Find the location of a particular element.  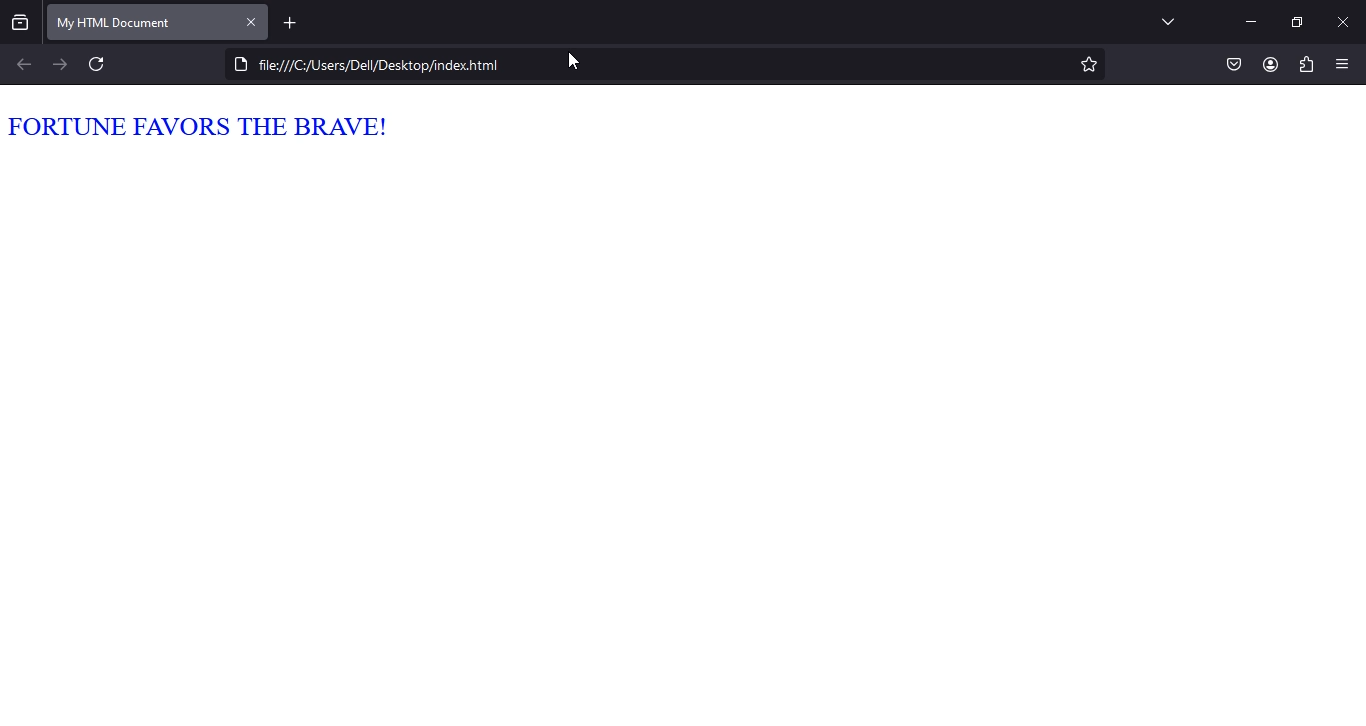

DO file///C:/Users/Dell/Desktop/indexhtml 3 is located at coordinates (632, 64).